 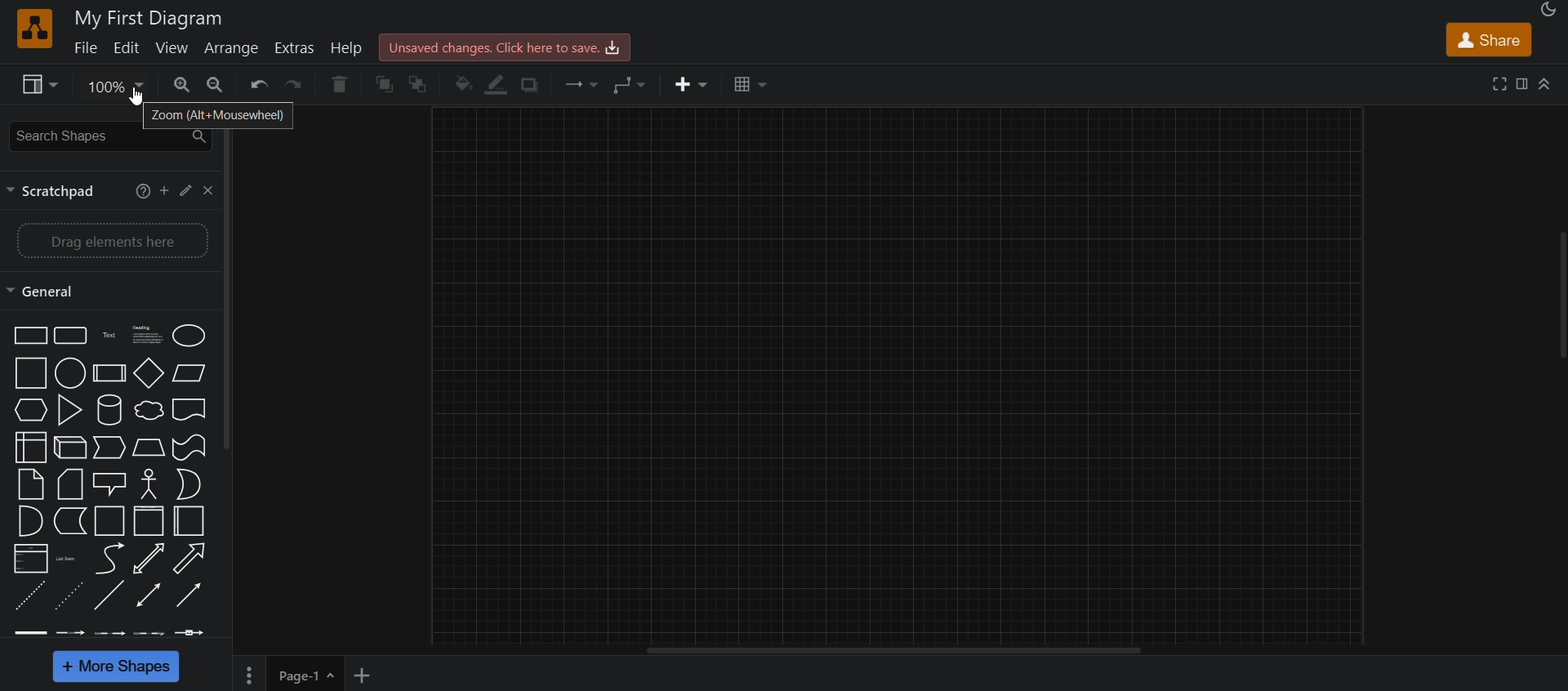 What do you see at coordinates (138, 96) in the screenshot?
I see `cursor` at bounding box center [138, 96].